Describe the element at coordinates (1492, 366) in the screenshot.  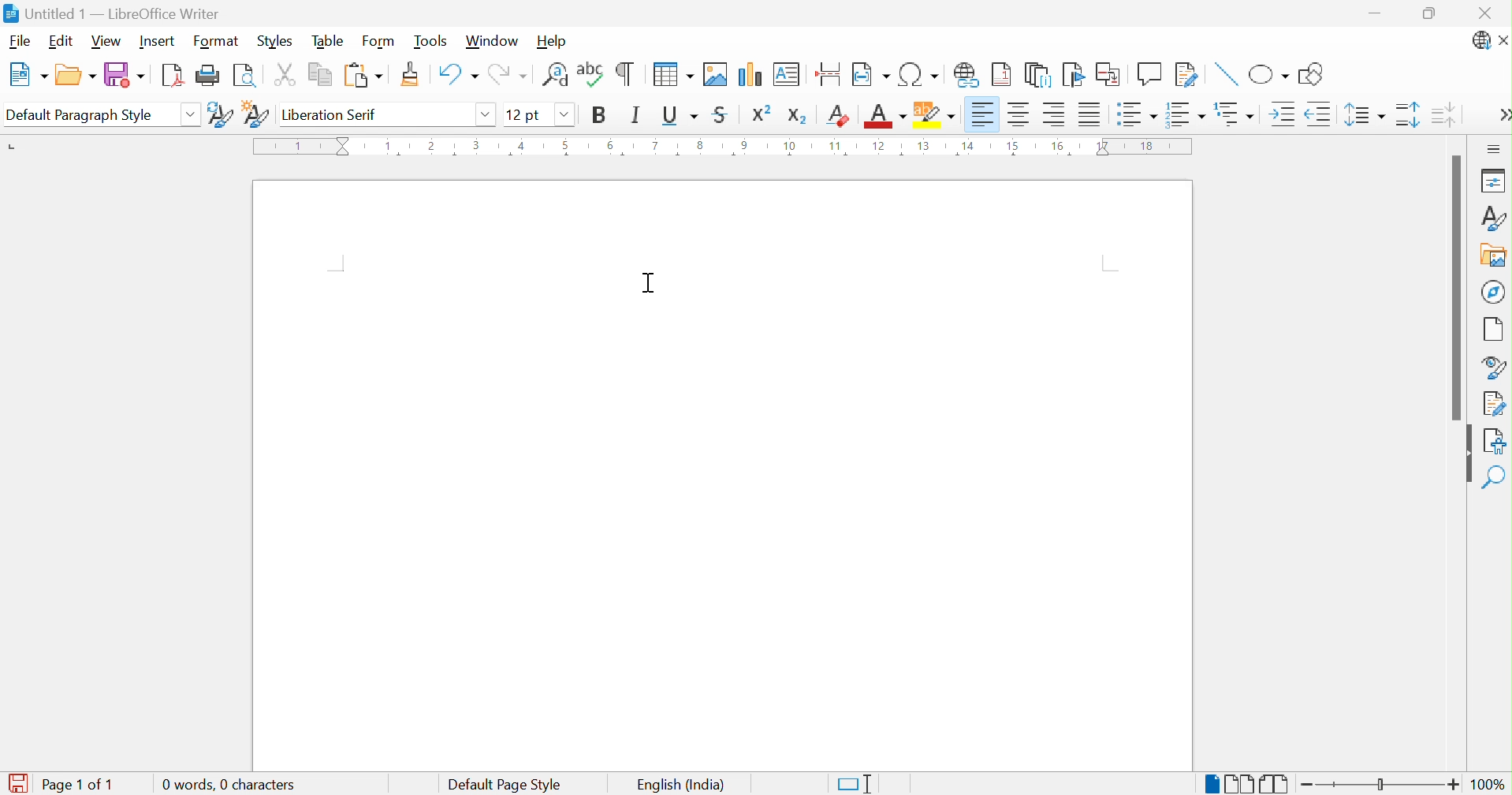
I see `Style inspector` at that location.